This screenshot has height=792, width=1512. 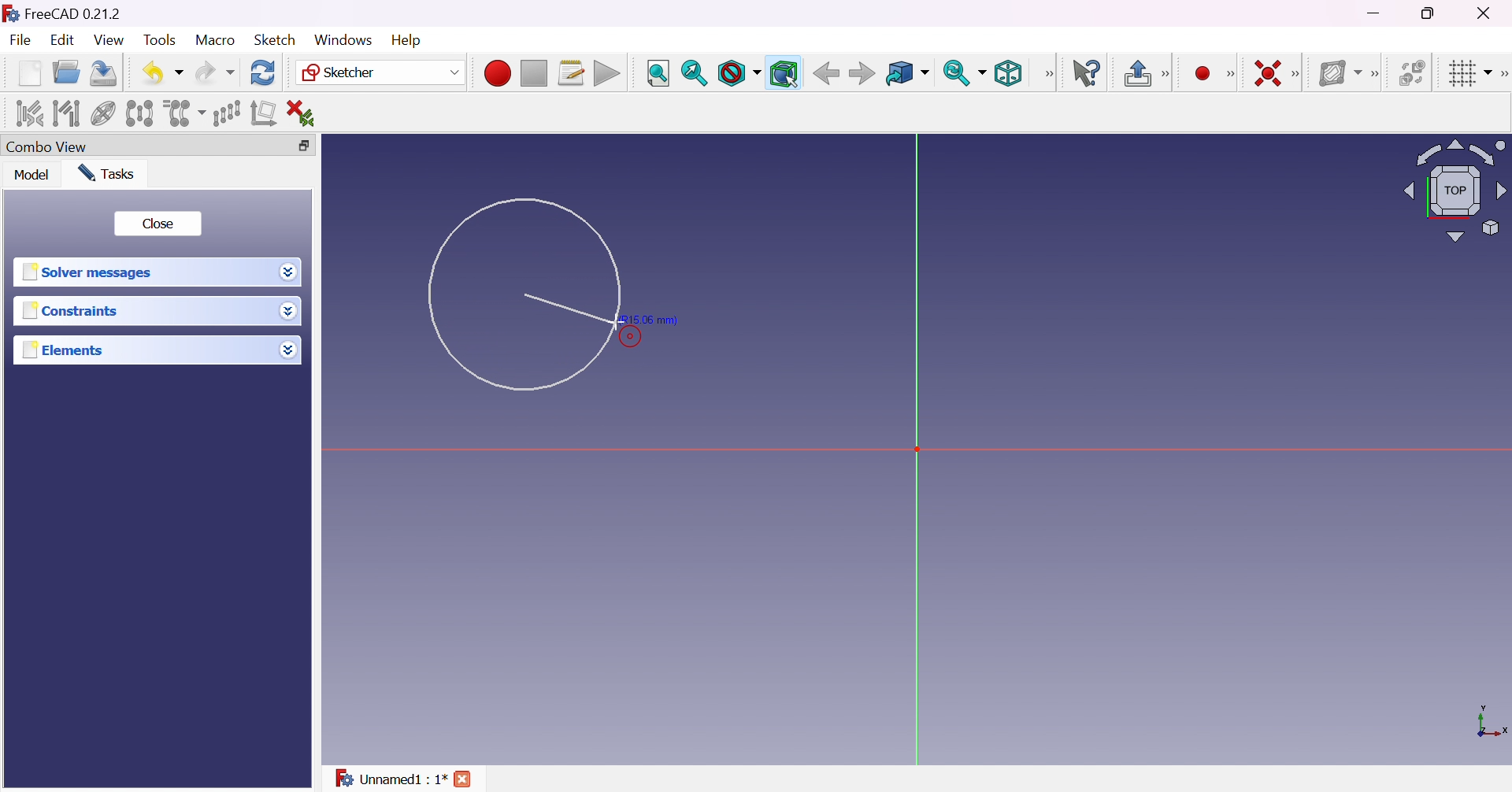 I want to click on Leave sketch, so click(x=1147, y=73).